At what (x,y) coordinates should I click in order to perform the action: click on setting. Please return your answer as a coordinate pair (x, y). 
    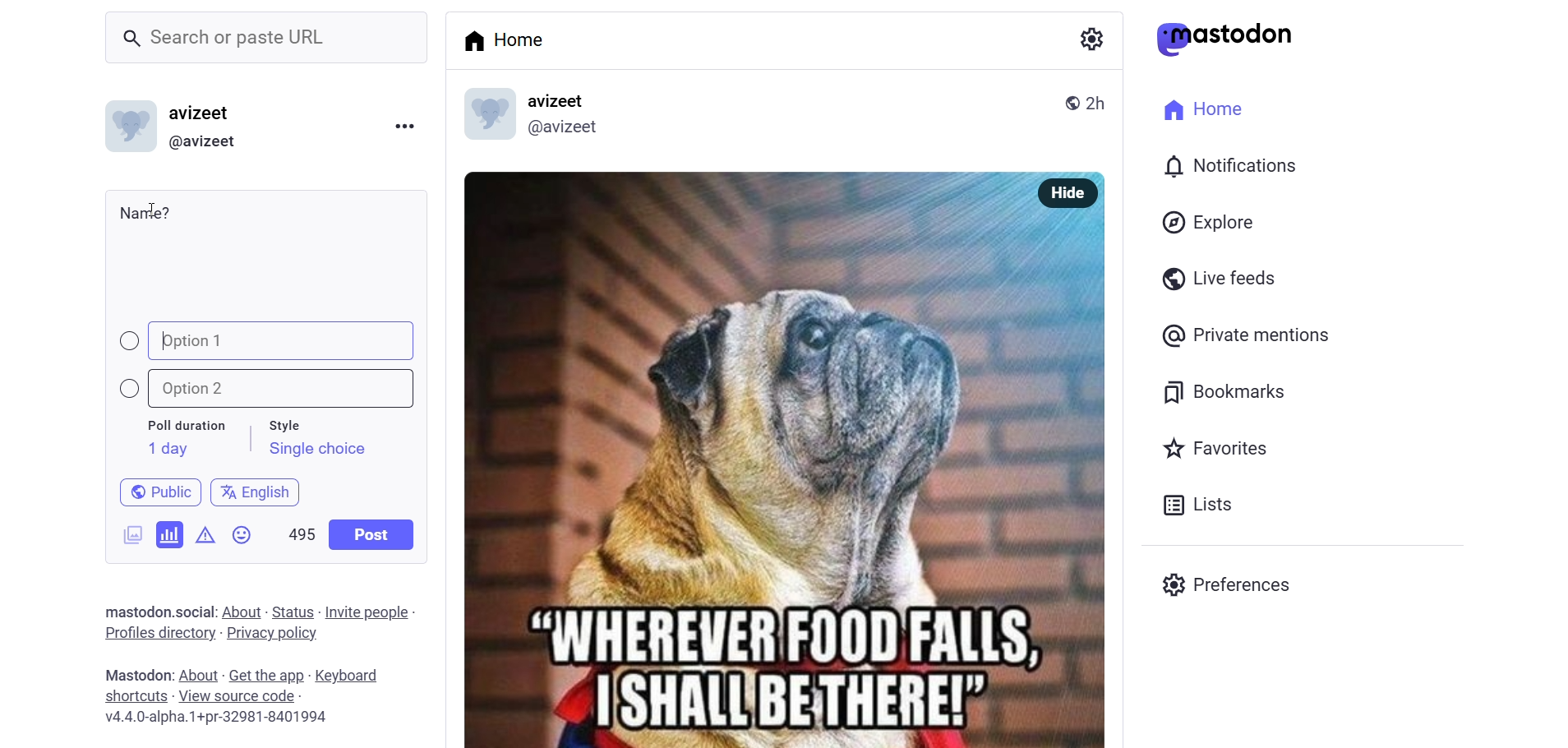
    Looking at the image, I should click on (1089, 38).